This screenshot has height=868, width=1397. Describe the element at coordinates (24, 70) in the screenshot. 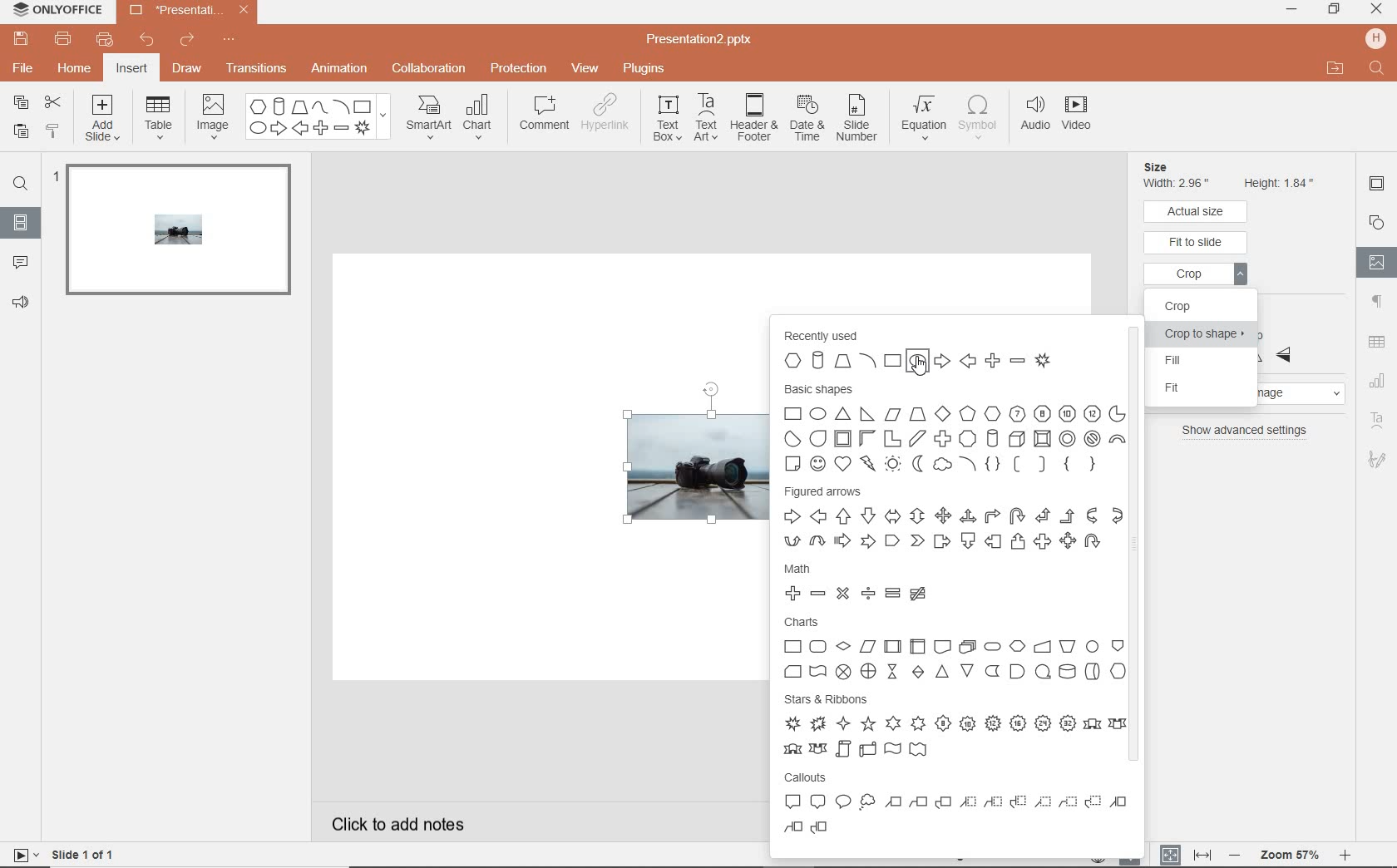

I see `file` at that location.